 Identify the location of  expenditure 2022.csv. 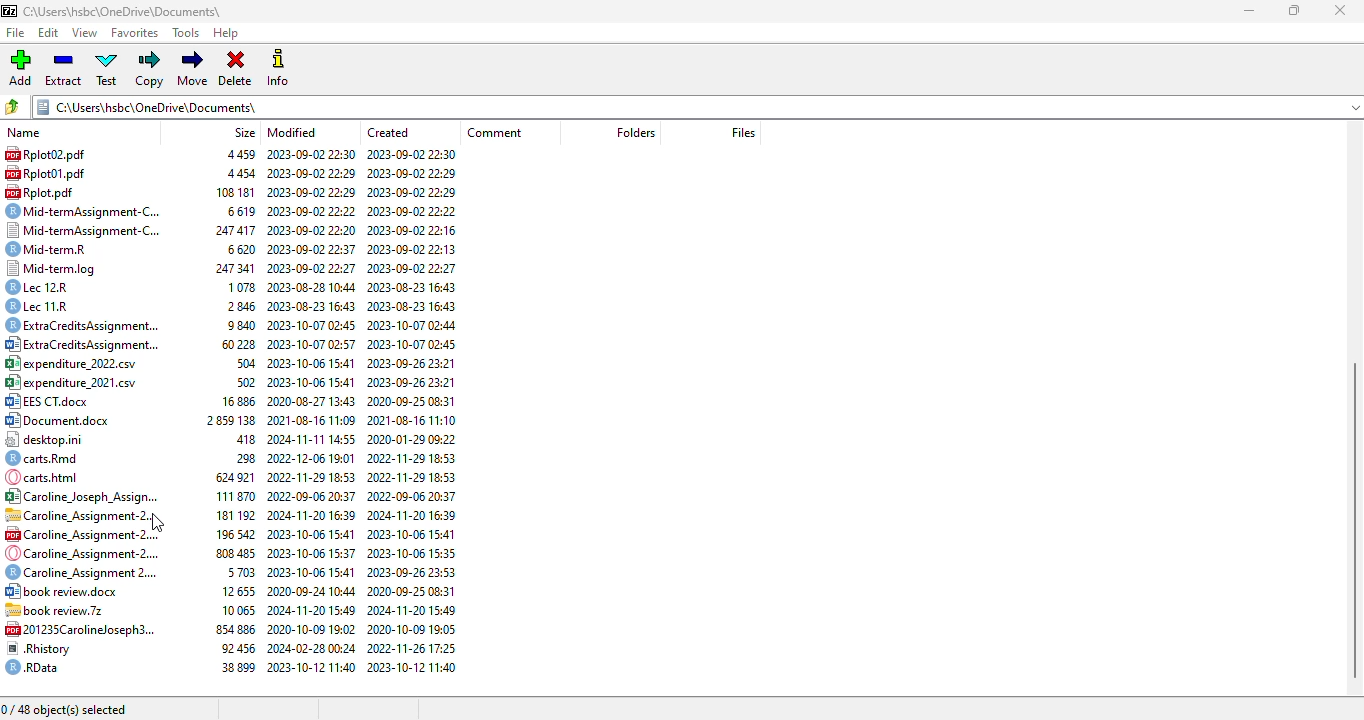
(81, 362).